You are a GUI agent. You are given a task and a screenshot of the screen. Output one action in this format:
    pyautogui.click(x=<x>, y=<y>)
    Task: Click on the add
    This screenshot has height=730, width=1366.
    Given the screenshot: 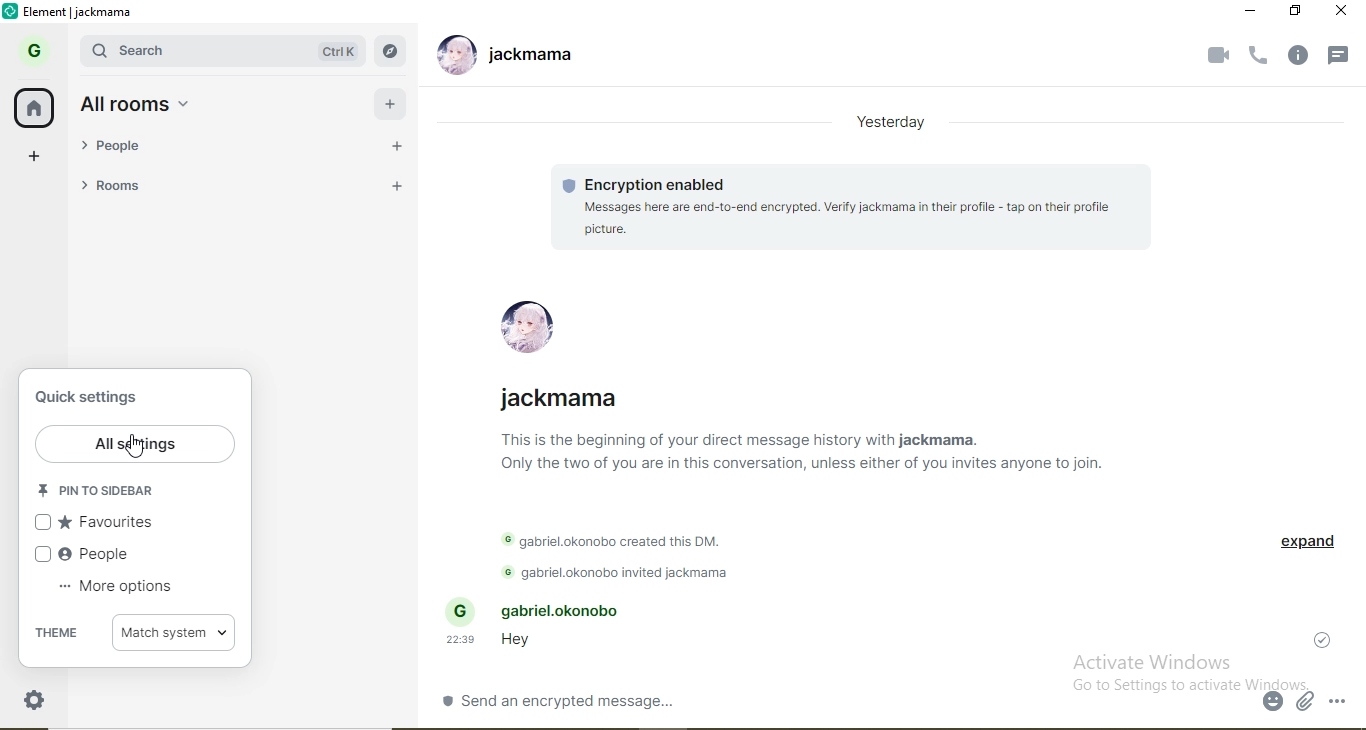 What is the action you would take?
    pyautogui.click(x=36, y=157)
    